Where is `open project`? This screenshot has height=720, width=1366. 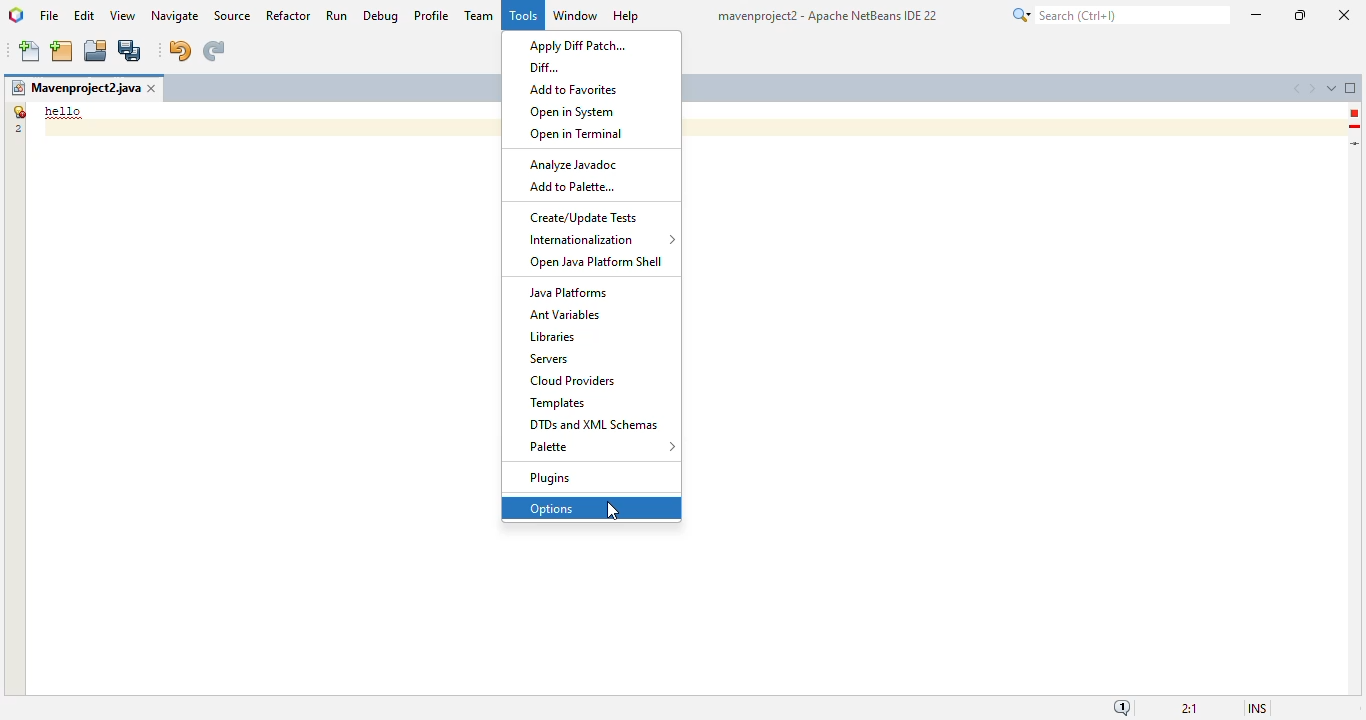
open project is located at coordinates (96, 51).